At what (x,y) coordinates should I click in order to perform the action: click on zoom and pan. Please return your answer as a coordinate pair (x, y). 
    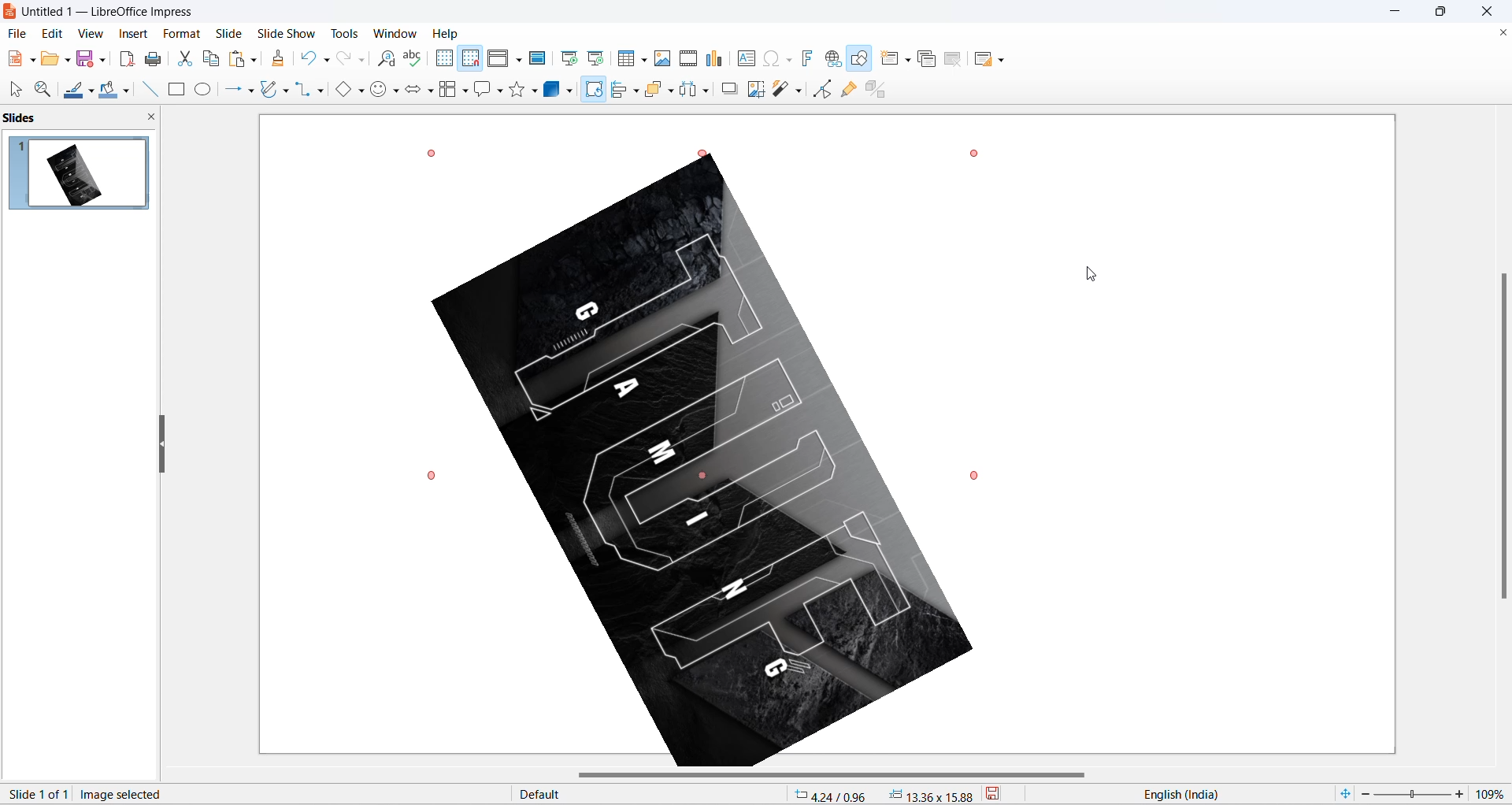
    Looking at the image, I should click on (41, 90).